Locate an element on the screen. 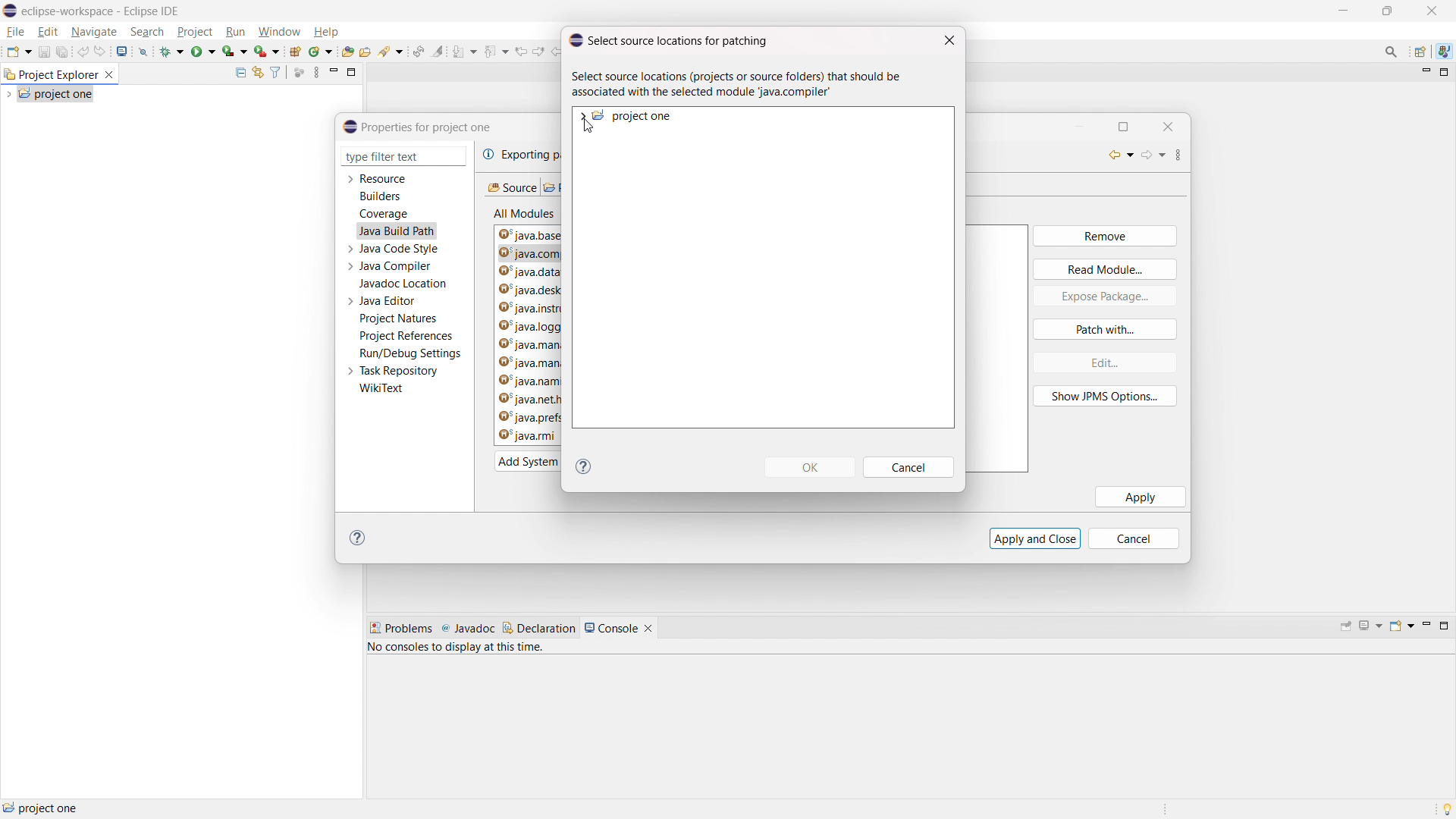  resource is located at coordinates (384, 178).